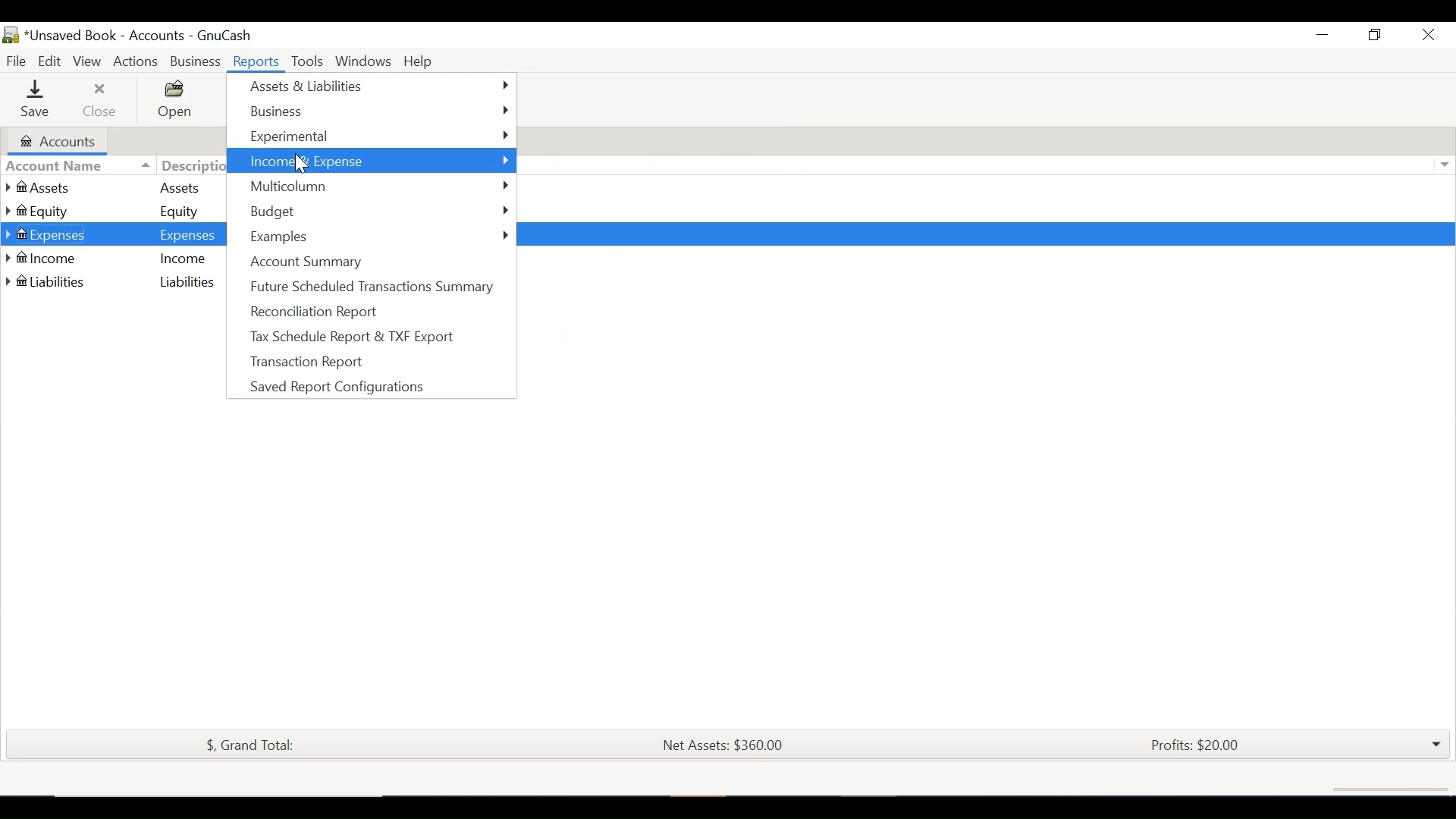 The width and height of the screenshot is (1456, 819). Describe the element at coordinates (375, 86) in the screenshot. I see `Assets & Liabilities` at that location.